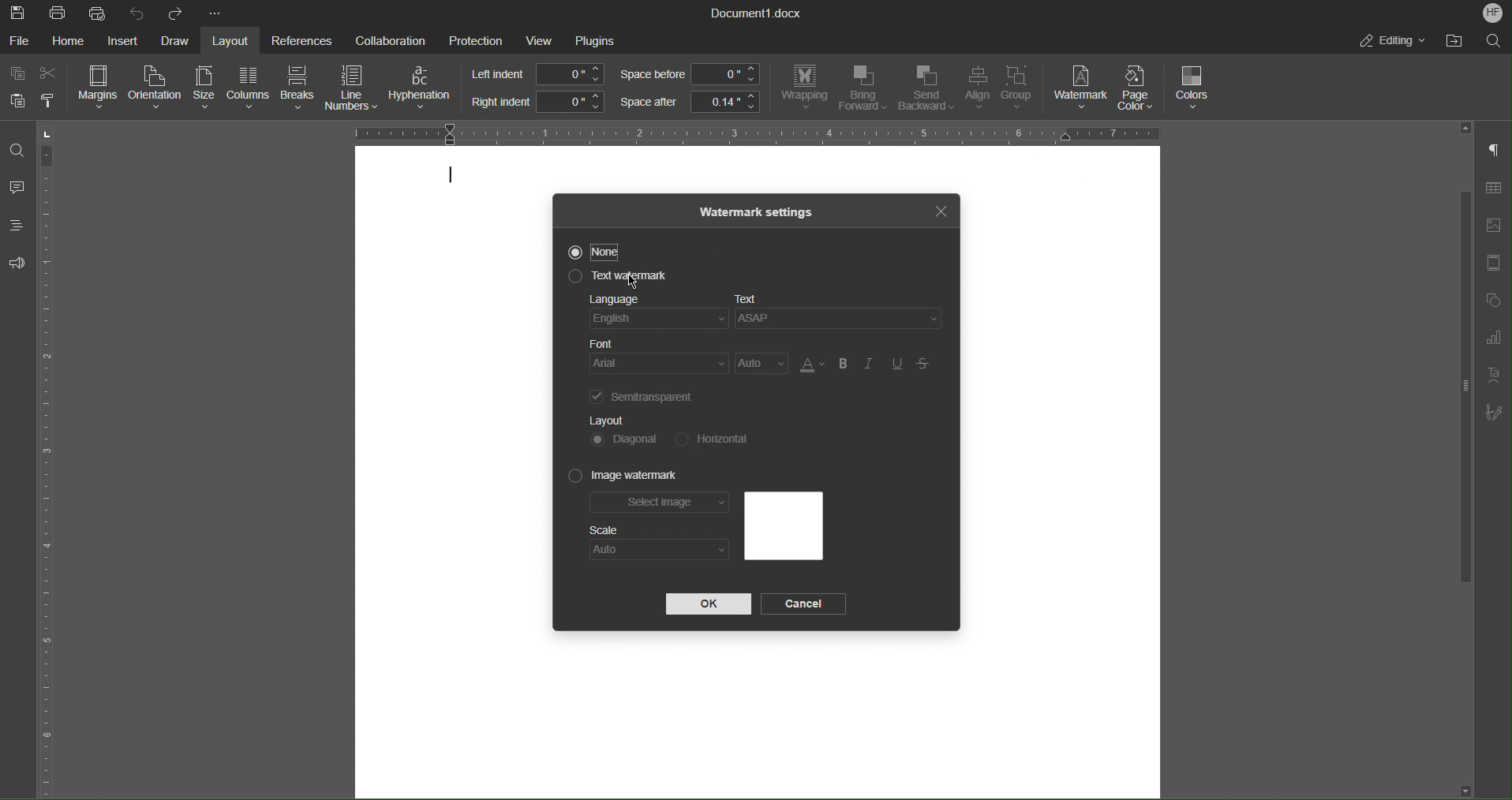 This screenshot has width=1512, height=800. Describe the element at coordinates (1493, 226) in the screenshot. I see `Insert Image` at that location.